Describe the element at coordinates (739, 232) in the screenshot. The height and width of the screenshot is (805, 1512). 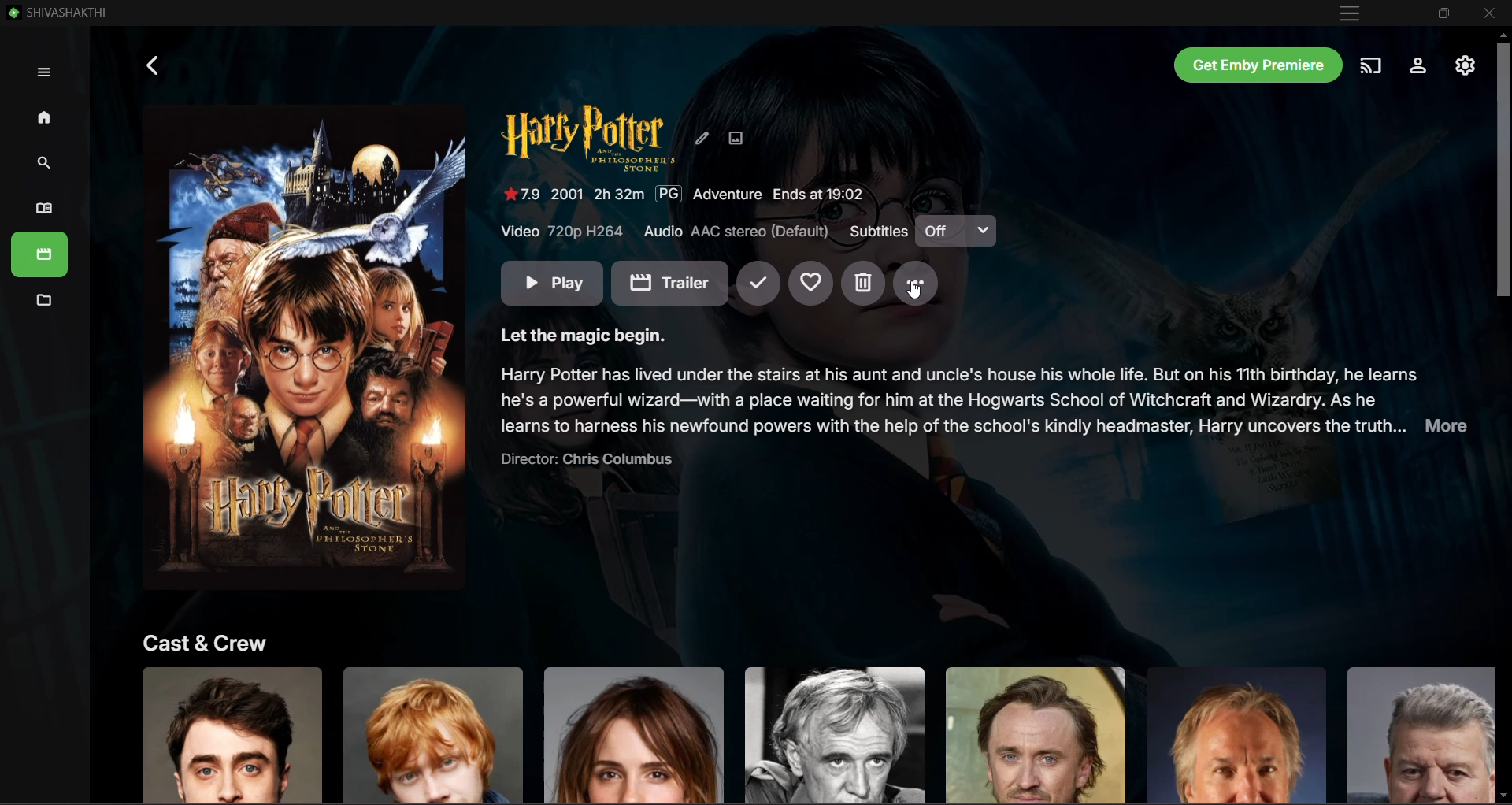
I see `Audio ` at that location.